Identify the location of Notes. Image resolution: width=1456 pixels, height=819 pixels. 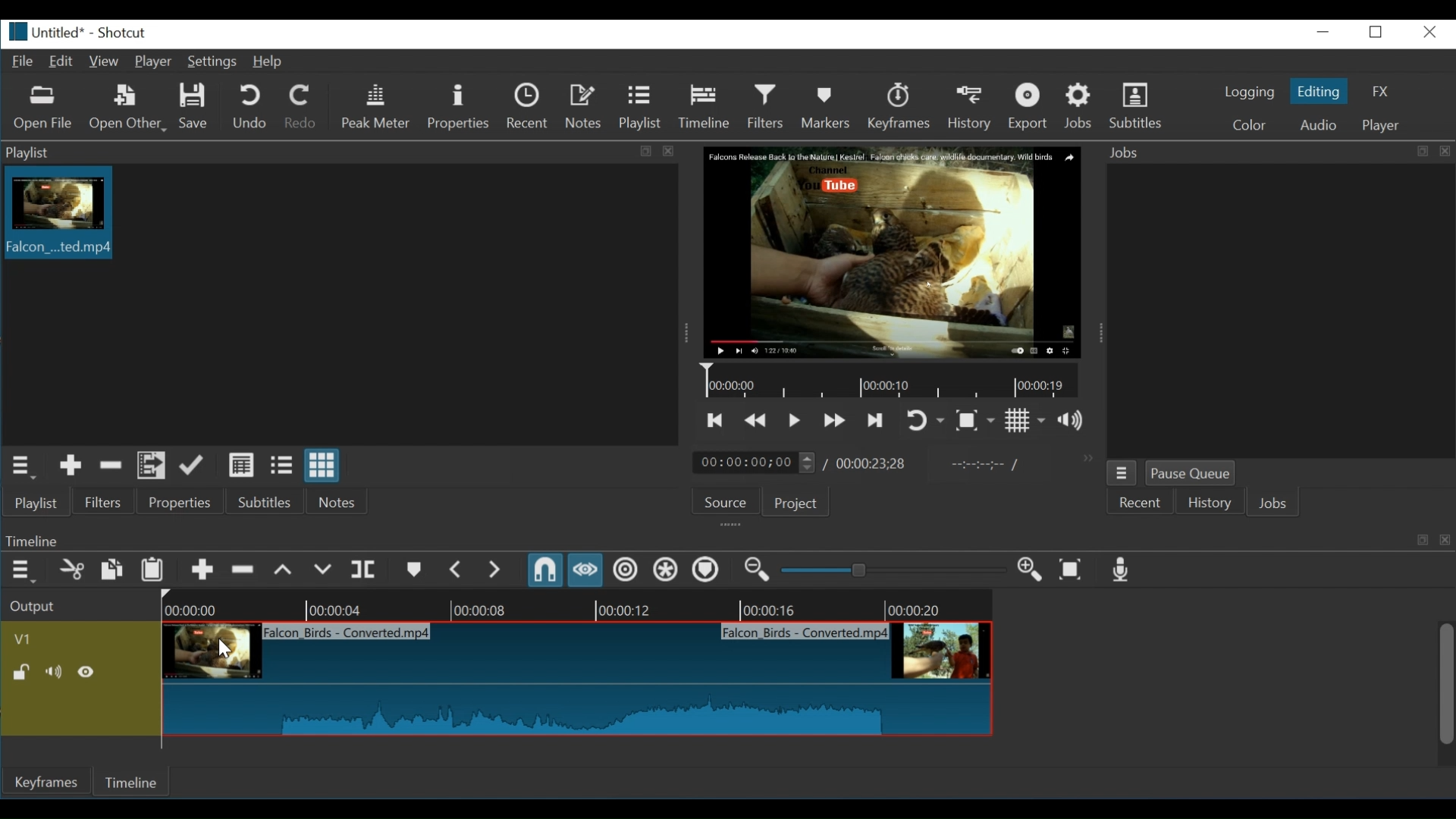
(585, 106).